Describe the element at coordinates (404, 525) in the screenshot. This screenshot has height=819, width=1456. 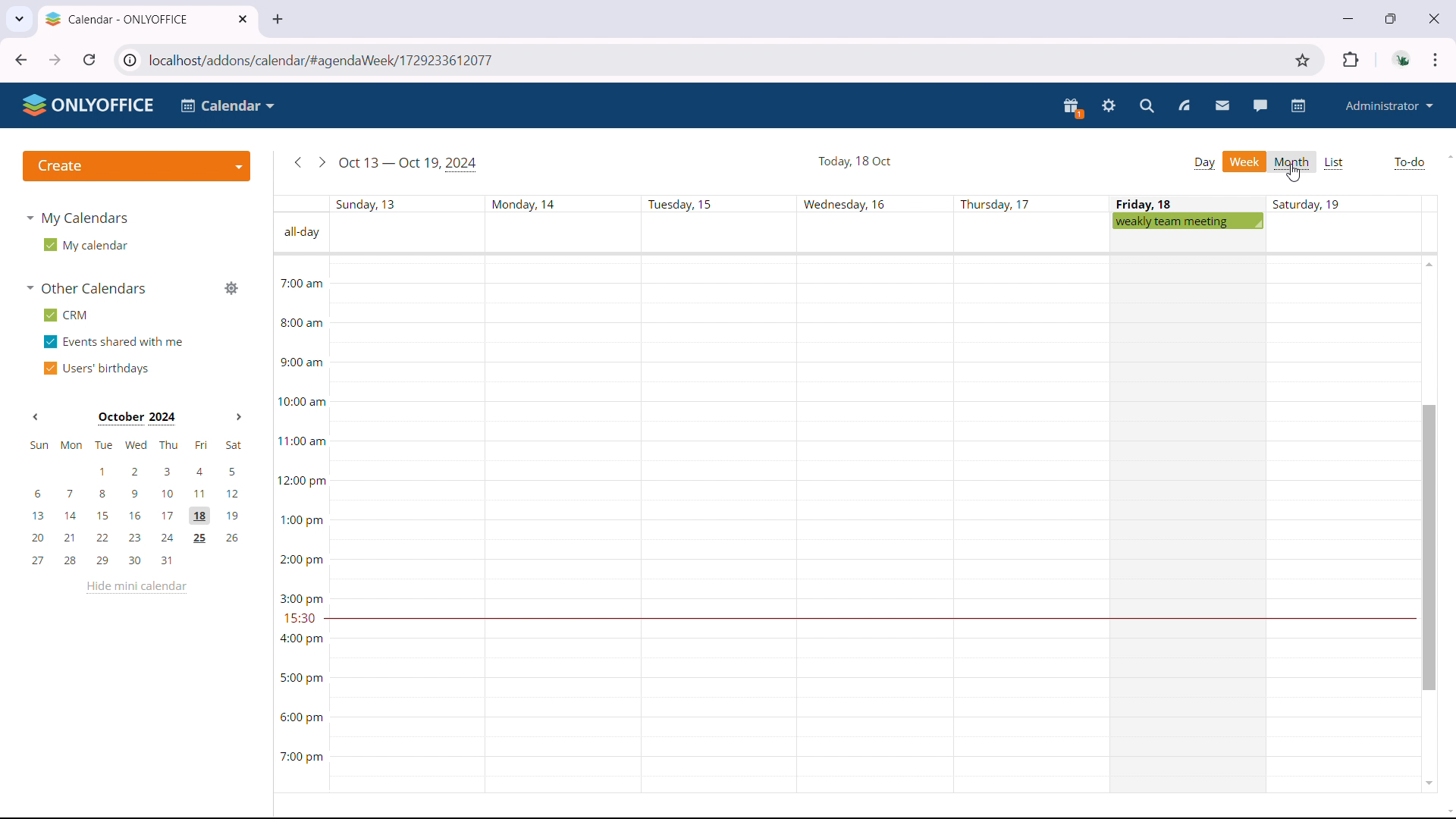
I see `Schedule for Sunday` at that location.